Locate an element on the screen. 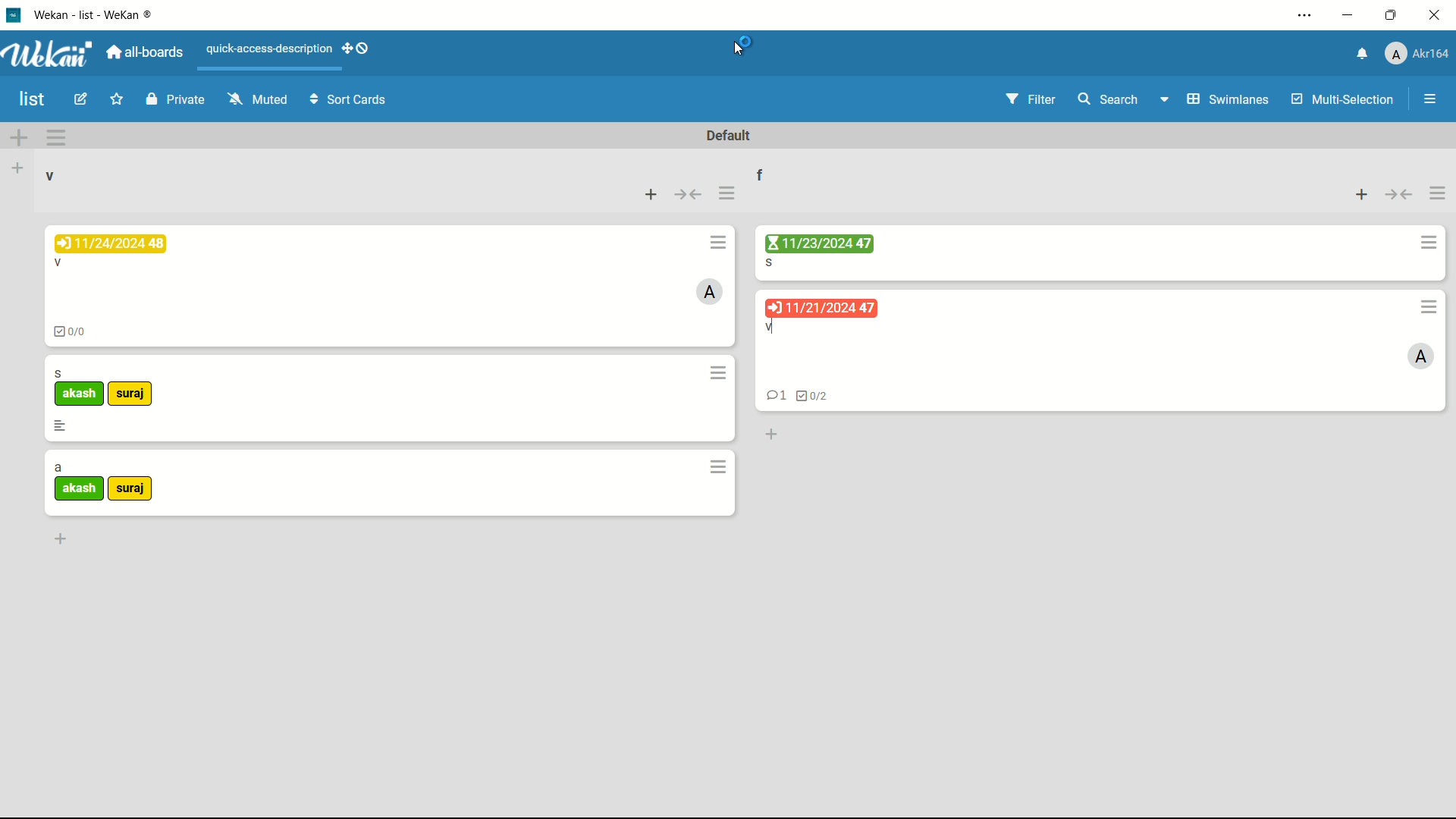  card name is located at coordinates (771, 262).